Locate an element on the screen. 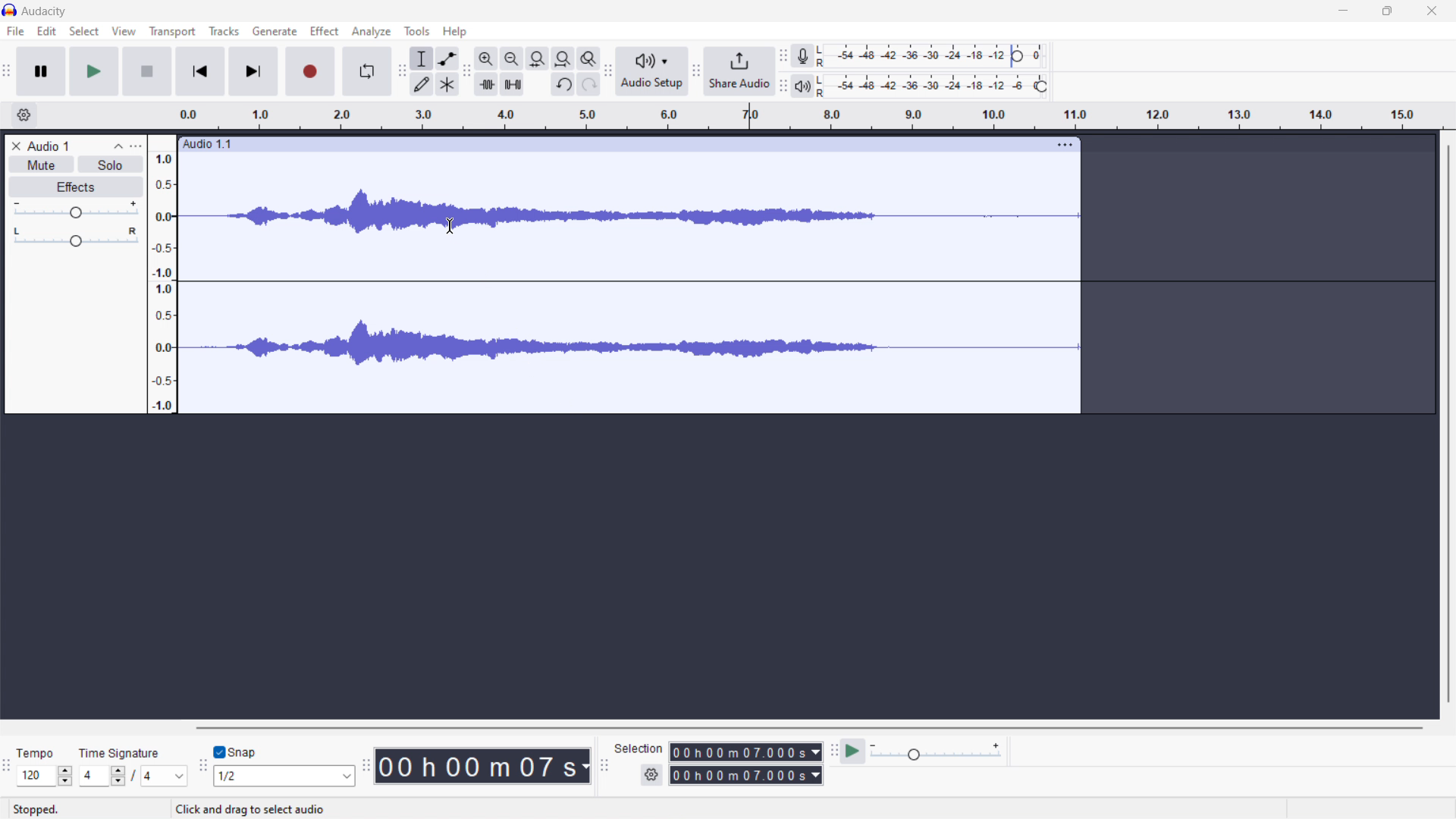 This screenshot has height=819, width=1456. cursor is located at coordinates (450, 227).